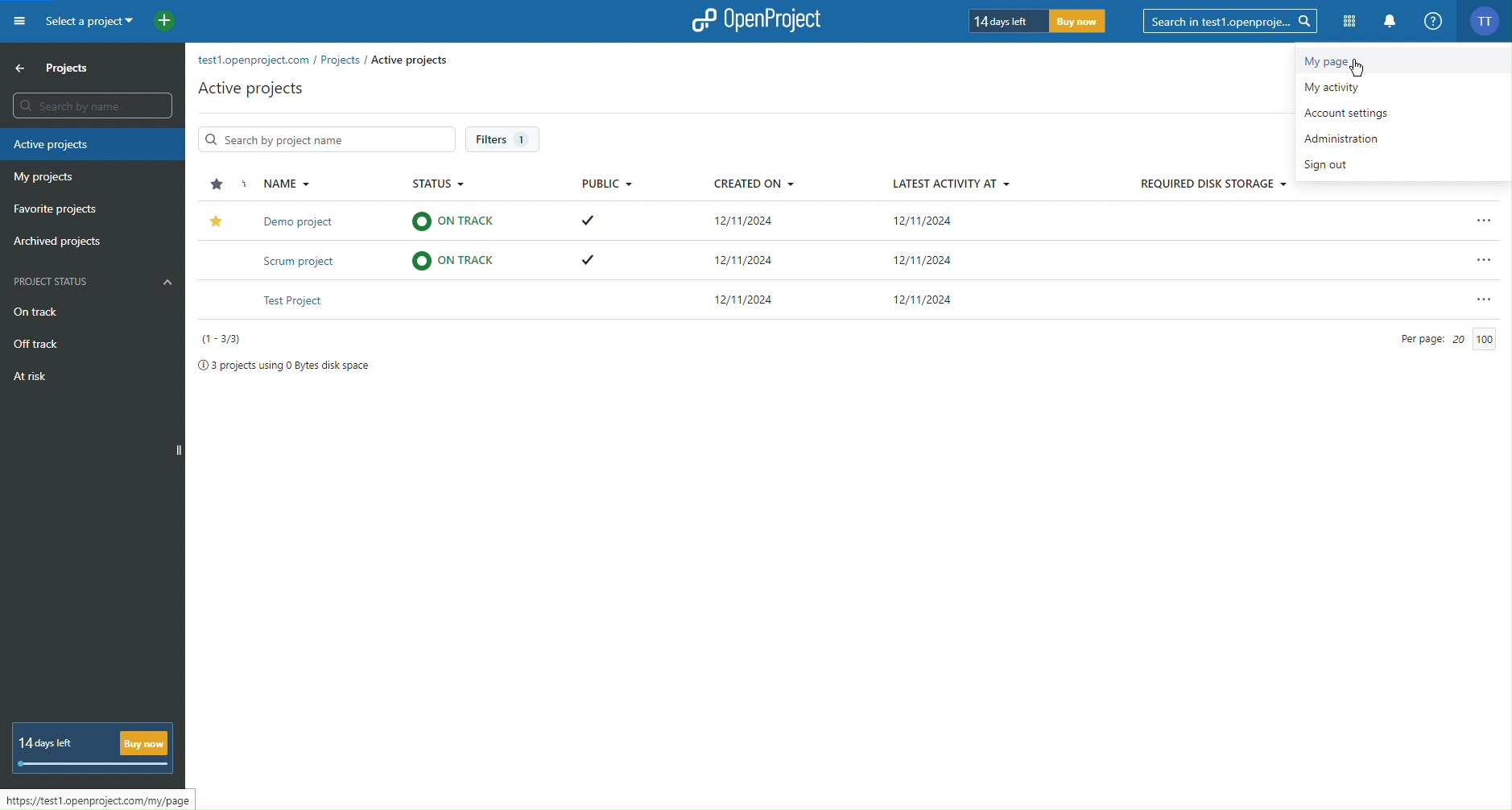 The width and height of the screenshot is (1512, 810). What do you see at coordinates (284, 365) in the screenshot?
I see `Project disk space` at bounding box center [284, 365].